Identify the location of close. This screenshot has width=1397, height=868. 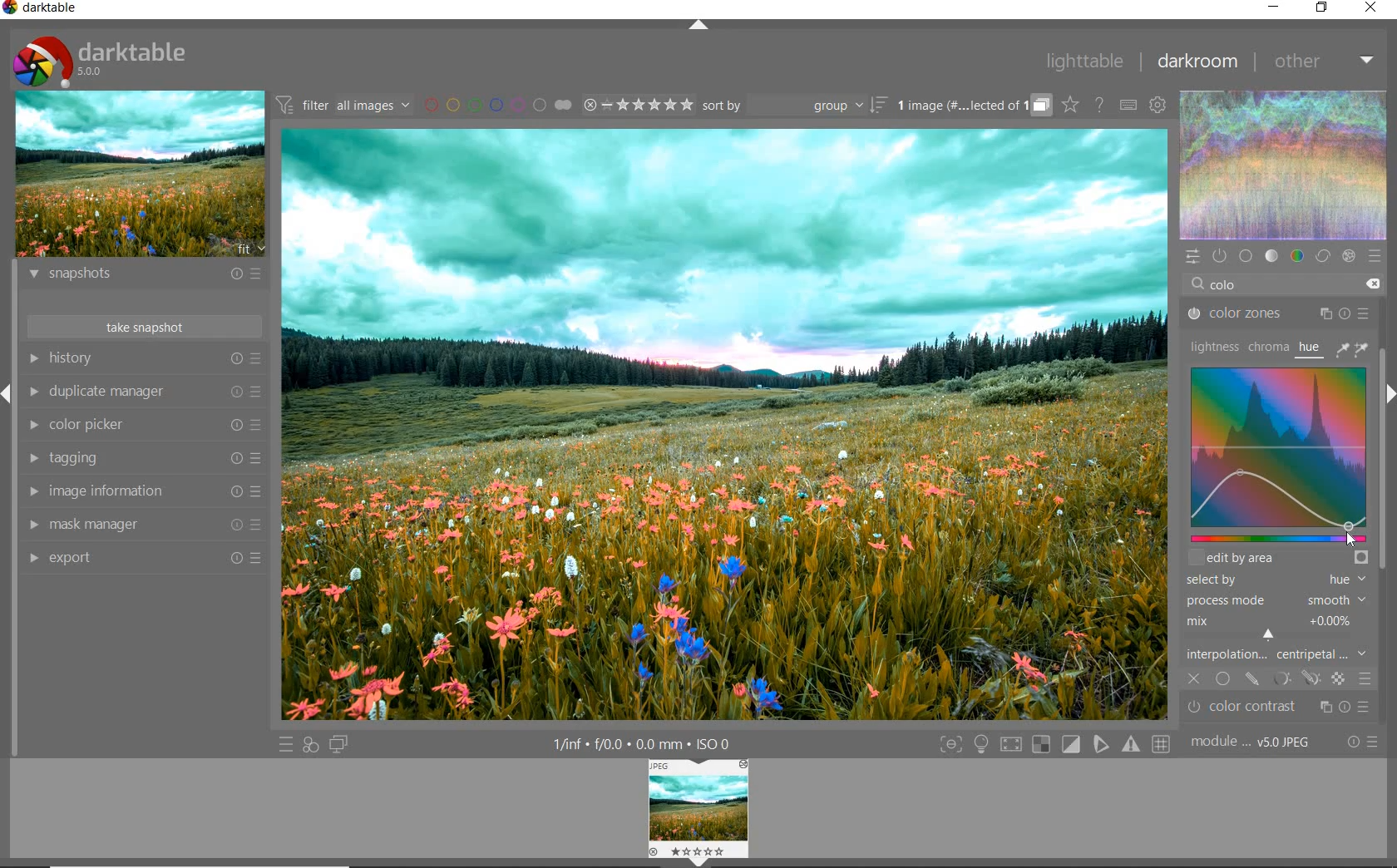
(1372, 7).